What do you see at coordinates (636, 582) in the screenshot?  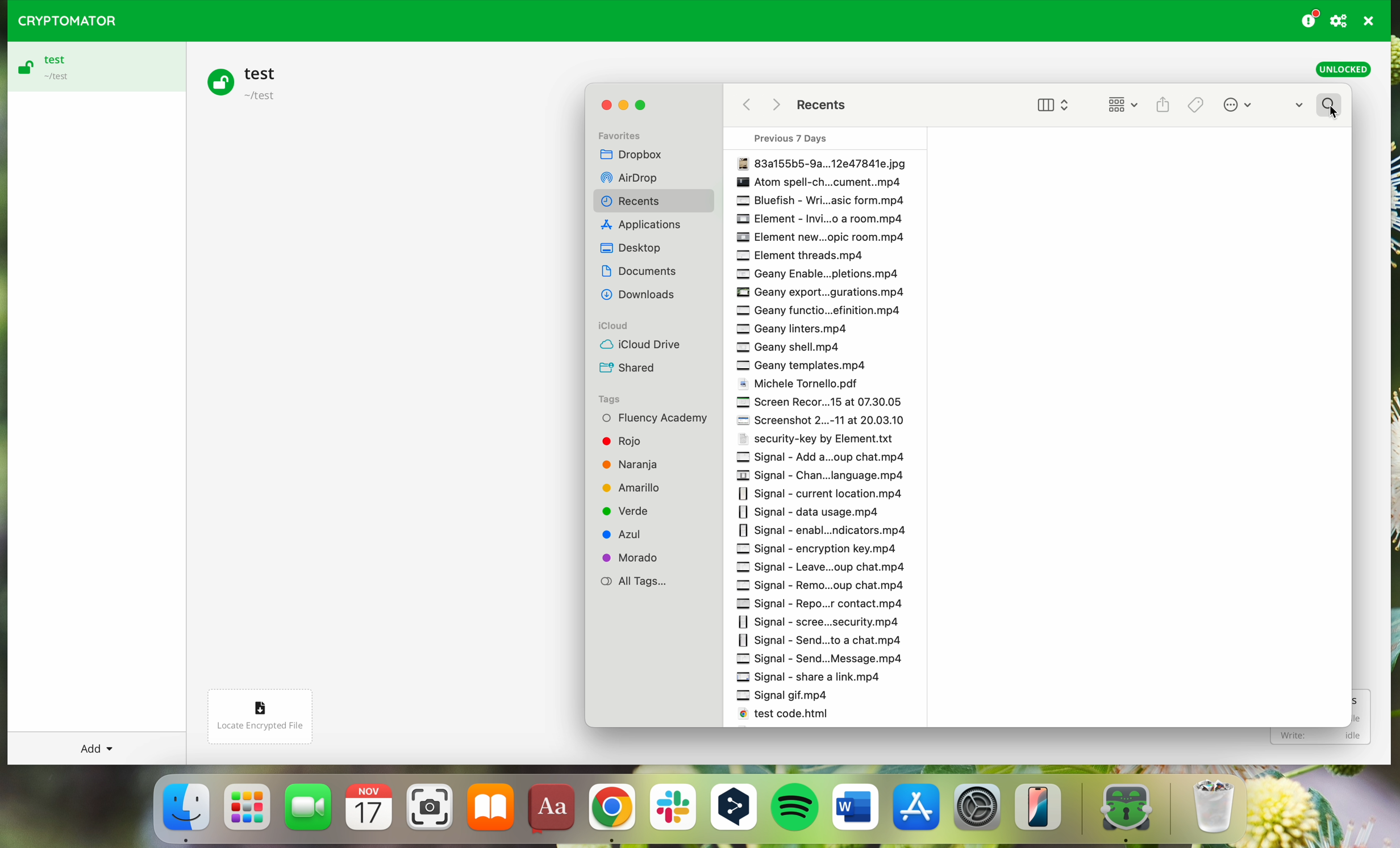 I see `All Tags` at bounding box center [636, 582].